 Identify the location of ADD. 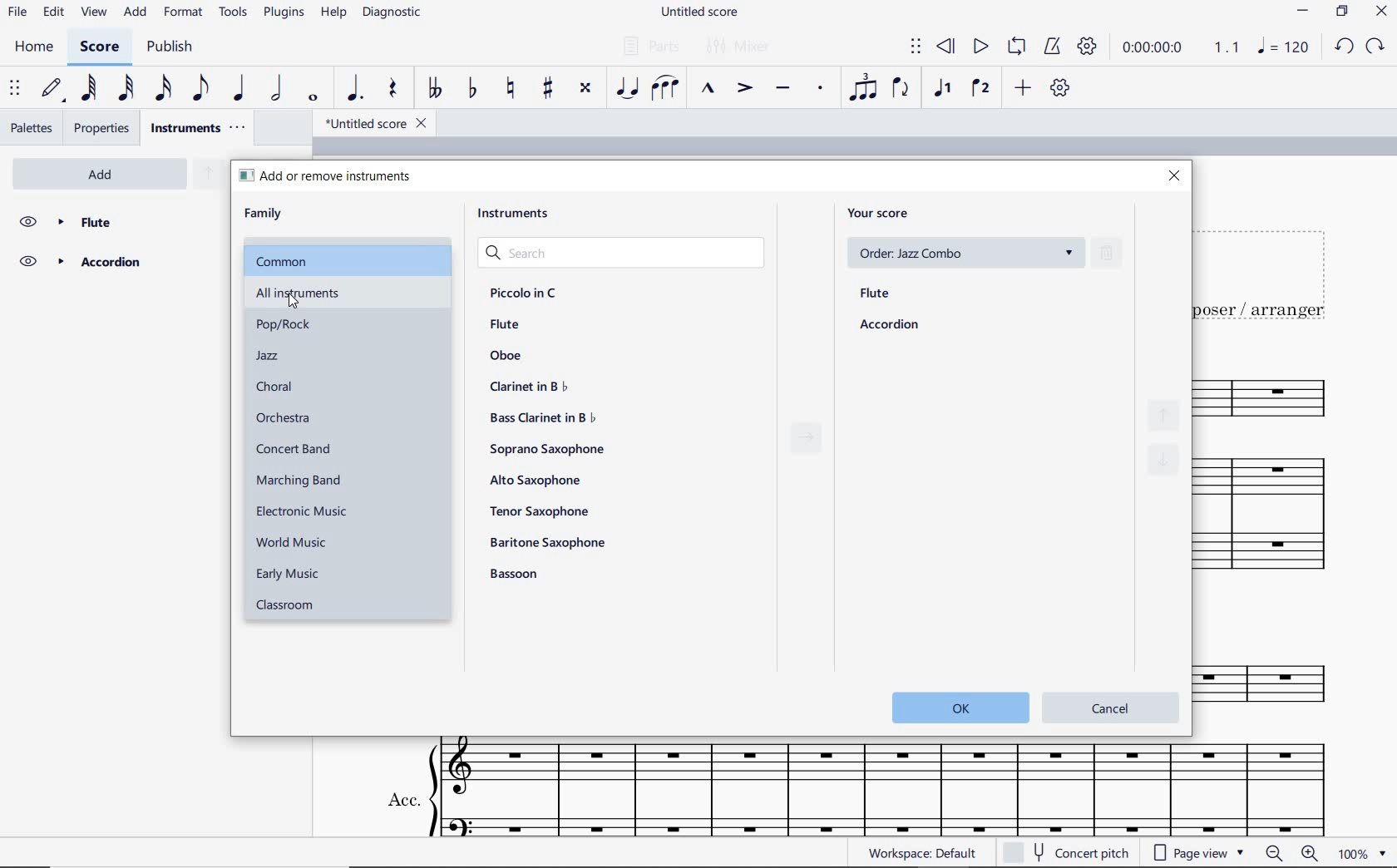
(136, 12).